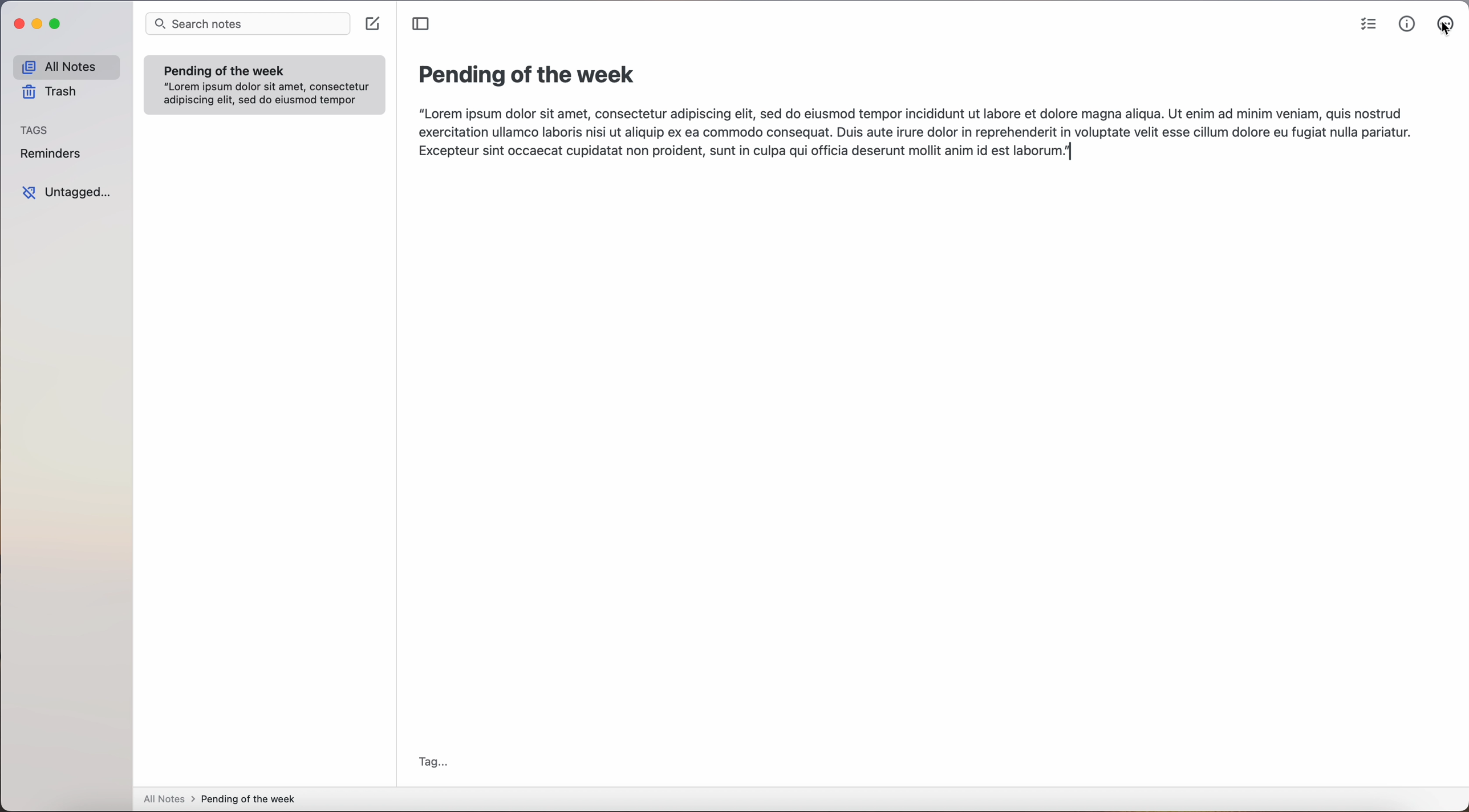 The height and width of the screenshot is (812, 1469). Describe the element at coordinates (15, 25) in the screenshot. I see `close app` at that location.